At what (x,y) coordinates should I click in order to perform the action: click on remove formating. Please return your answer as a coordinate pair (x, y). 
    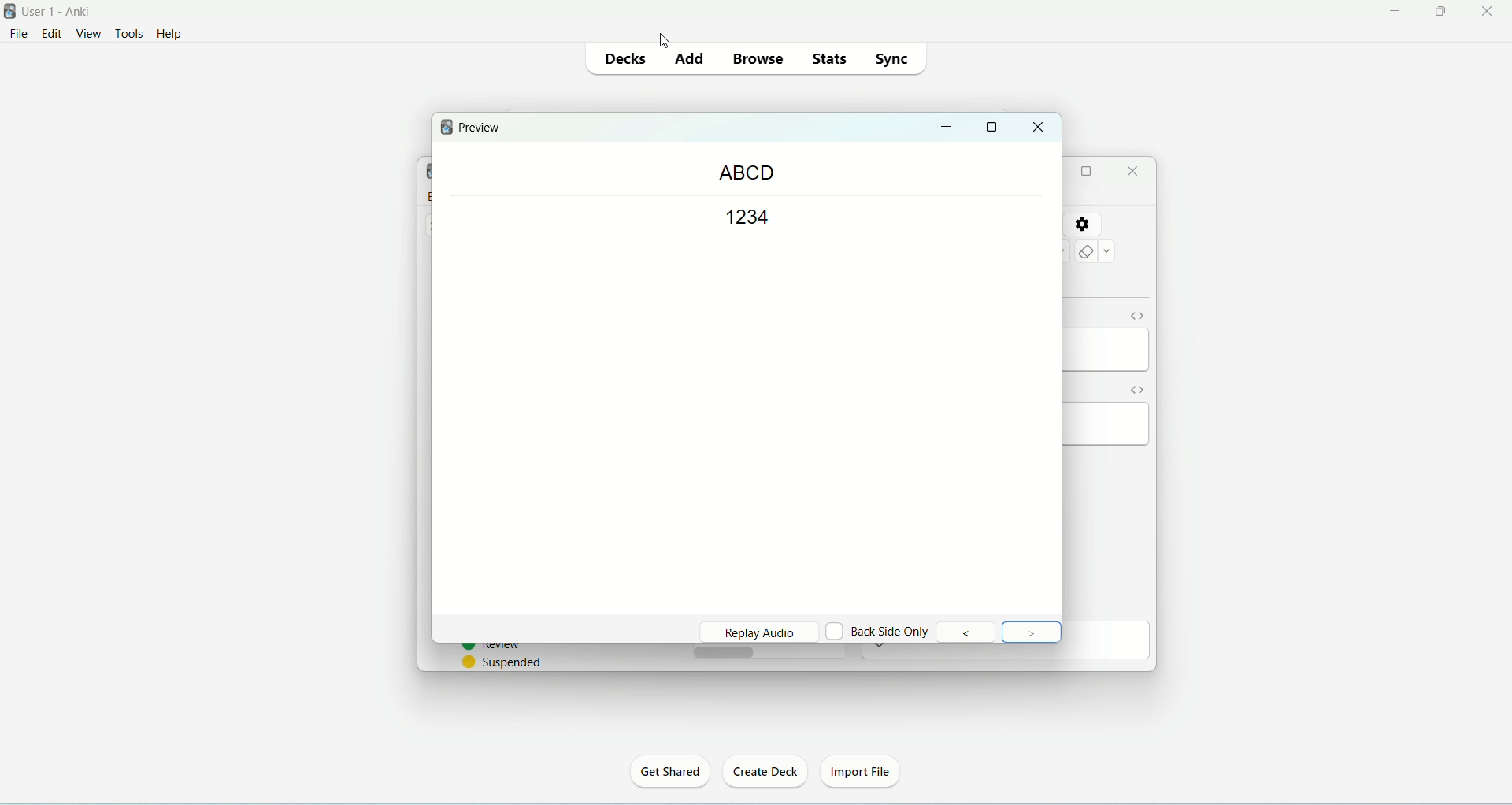
    Looking at the image, I should click on (1095, 251).